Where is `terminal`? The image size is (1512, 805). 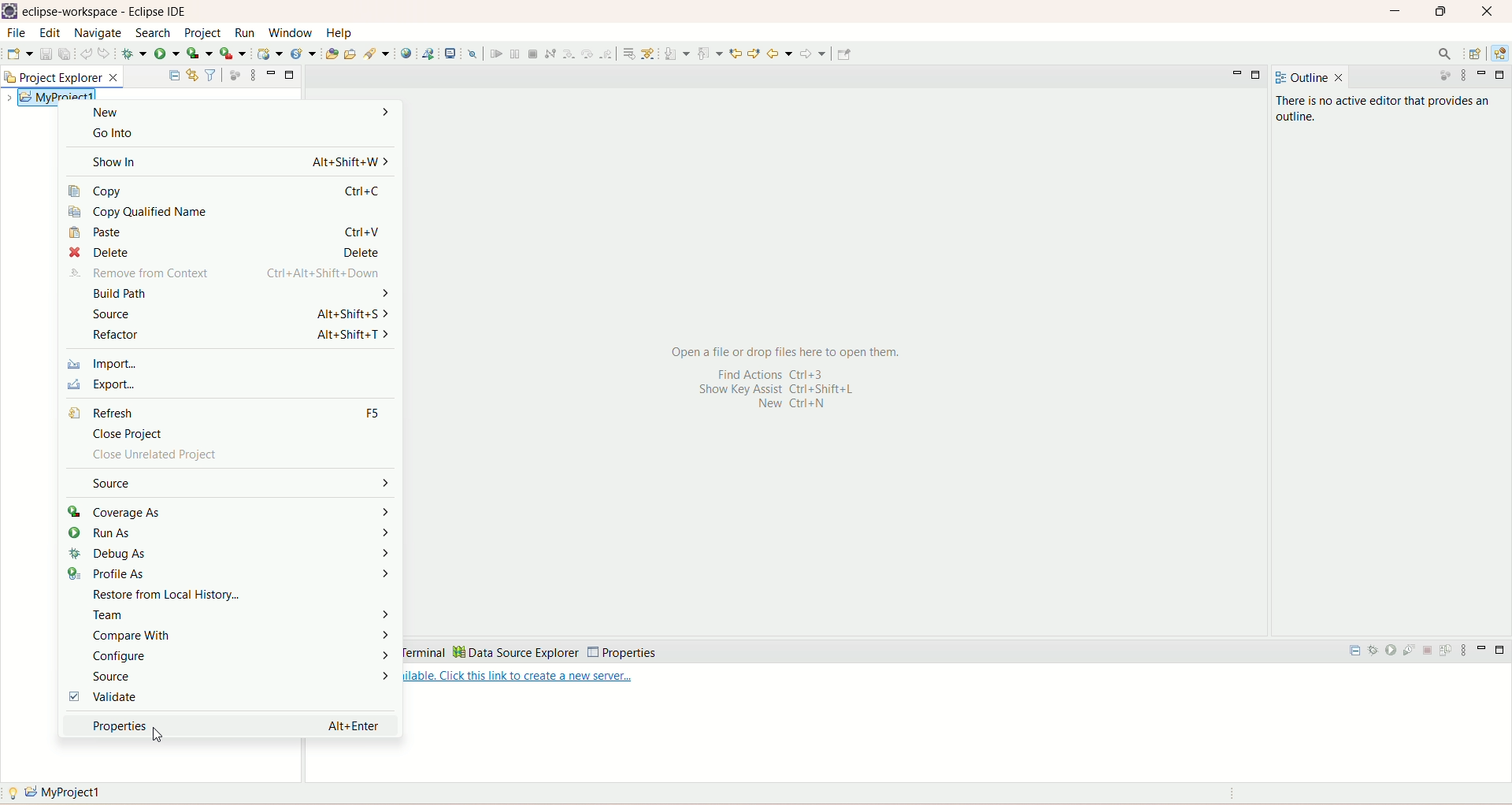 terminal is located at coordinates (422, 652).